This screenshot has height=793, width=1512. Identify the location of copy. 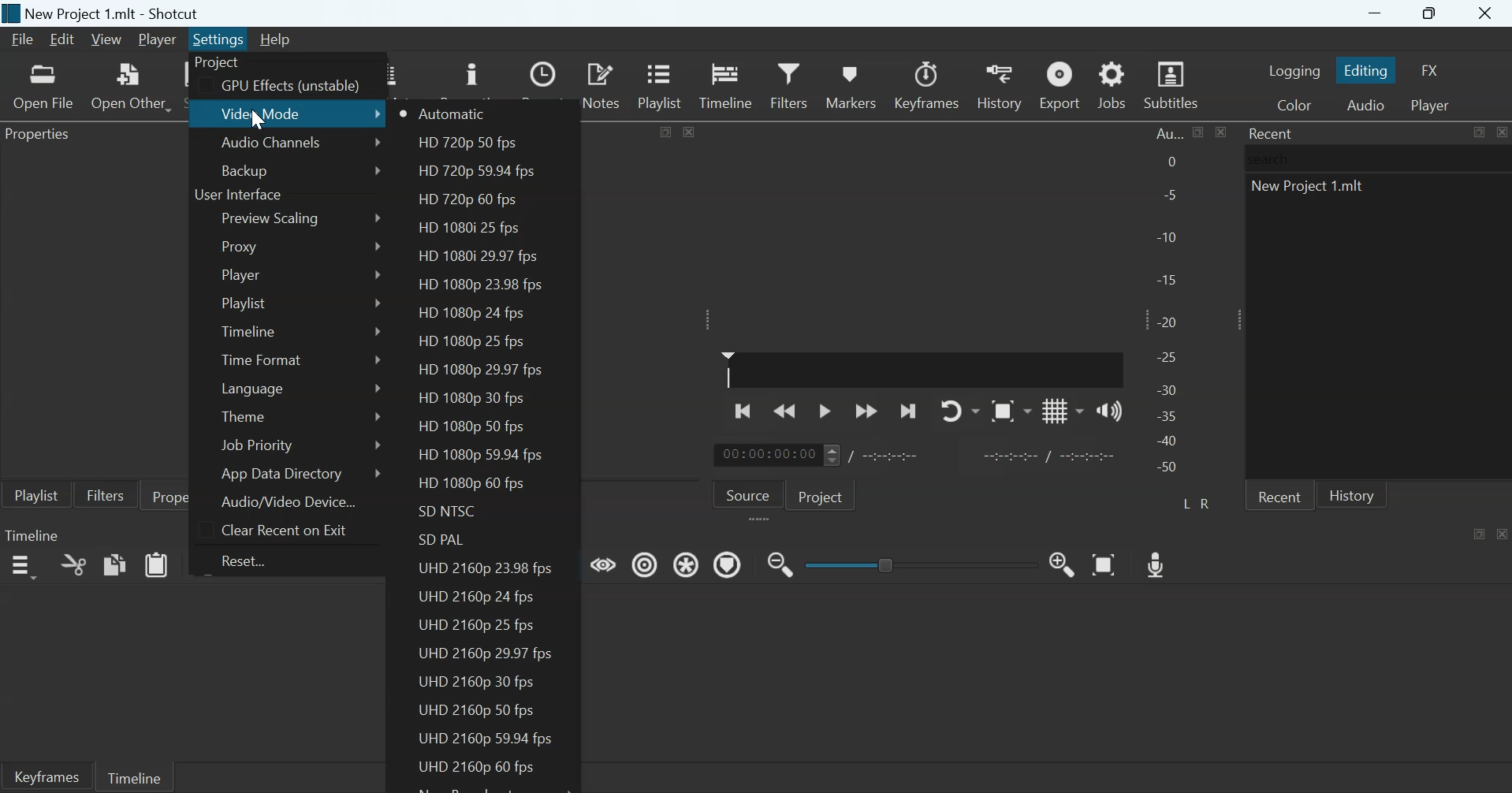
(115, 564).